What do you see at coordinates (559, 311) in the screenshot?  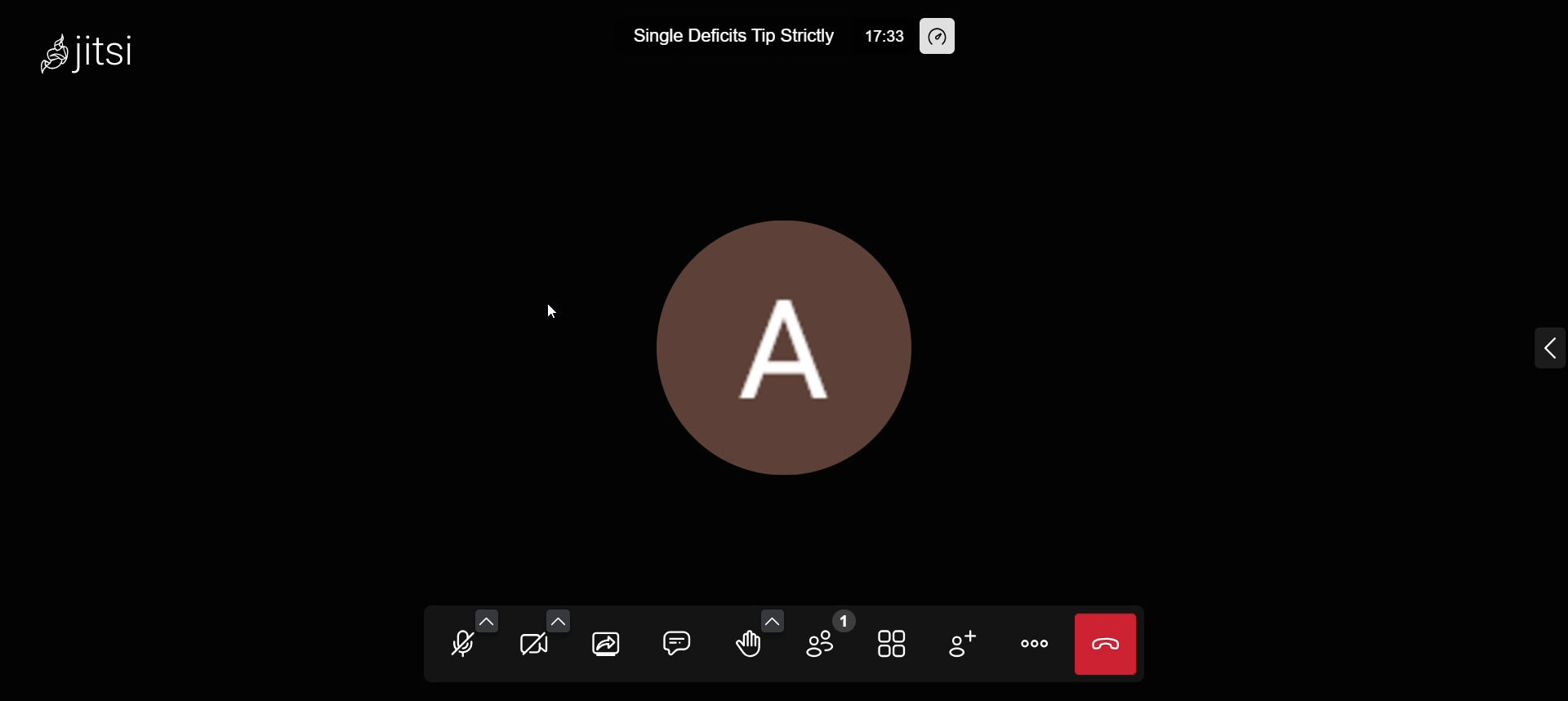 I see `cursor` at bounding box center [559, 311].